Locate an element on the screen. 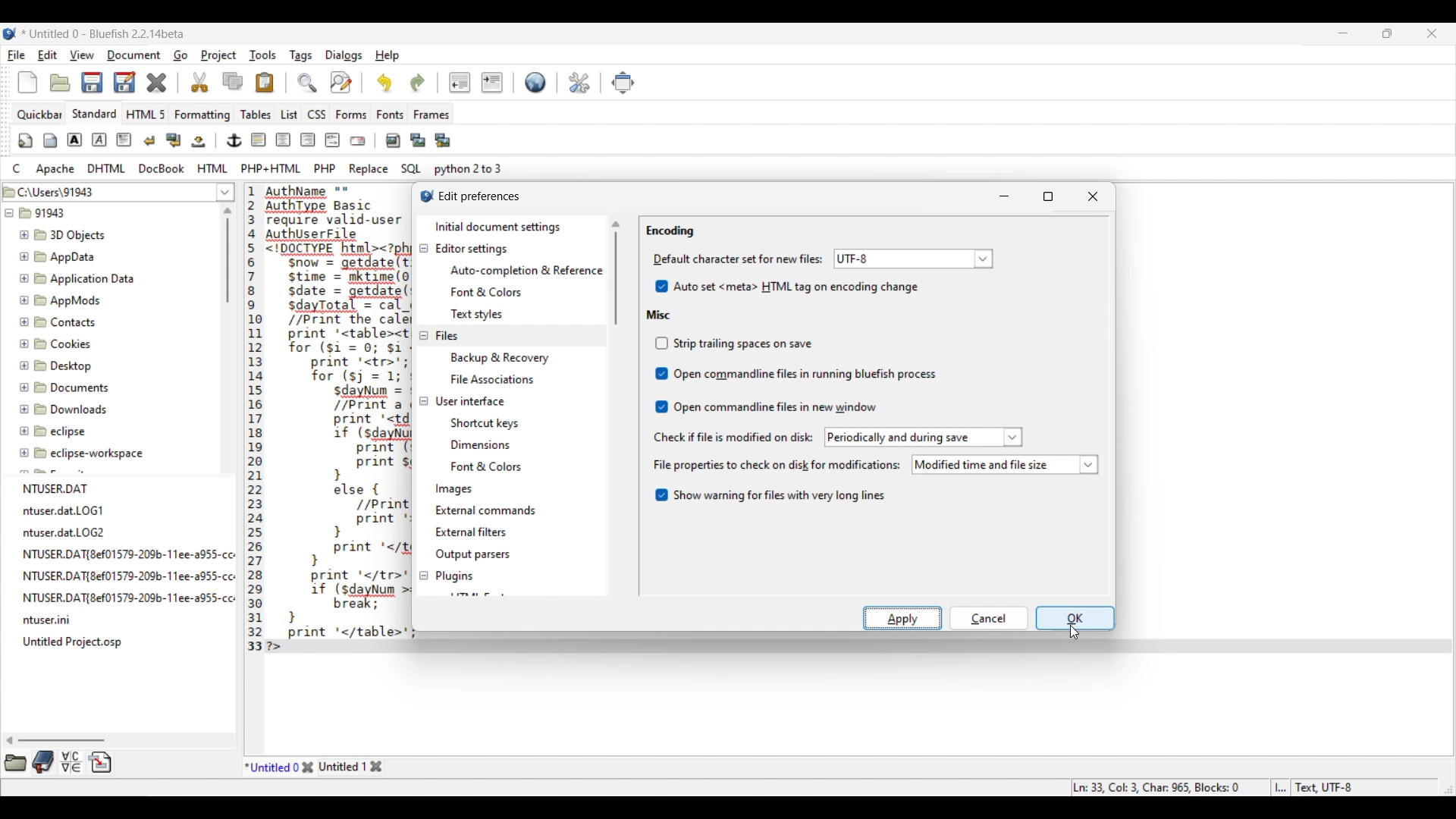 The width and height of the screenshot is (1456, 819). OK is located at coordinates (990, 619).